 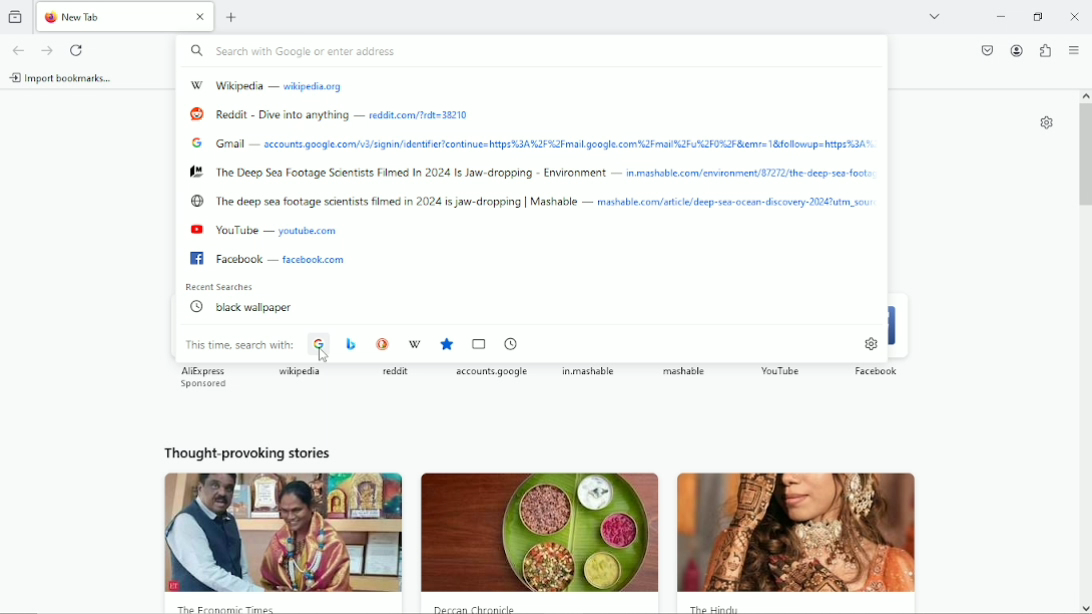 I want to click on youtube.com, so click(x=314, y=232).